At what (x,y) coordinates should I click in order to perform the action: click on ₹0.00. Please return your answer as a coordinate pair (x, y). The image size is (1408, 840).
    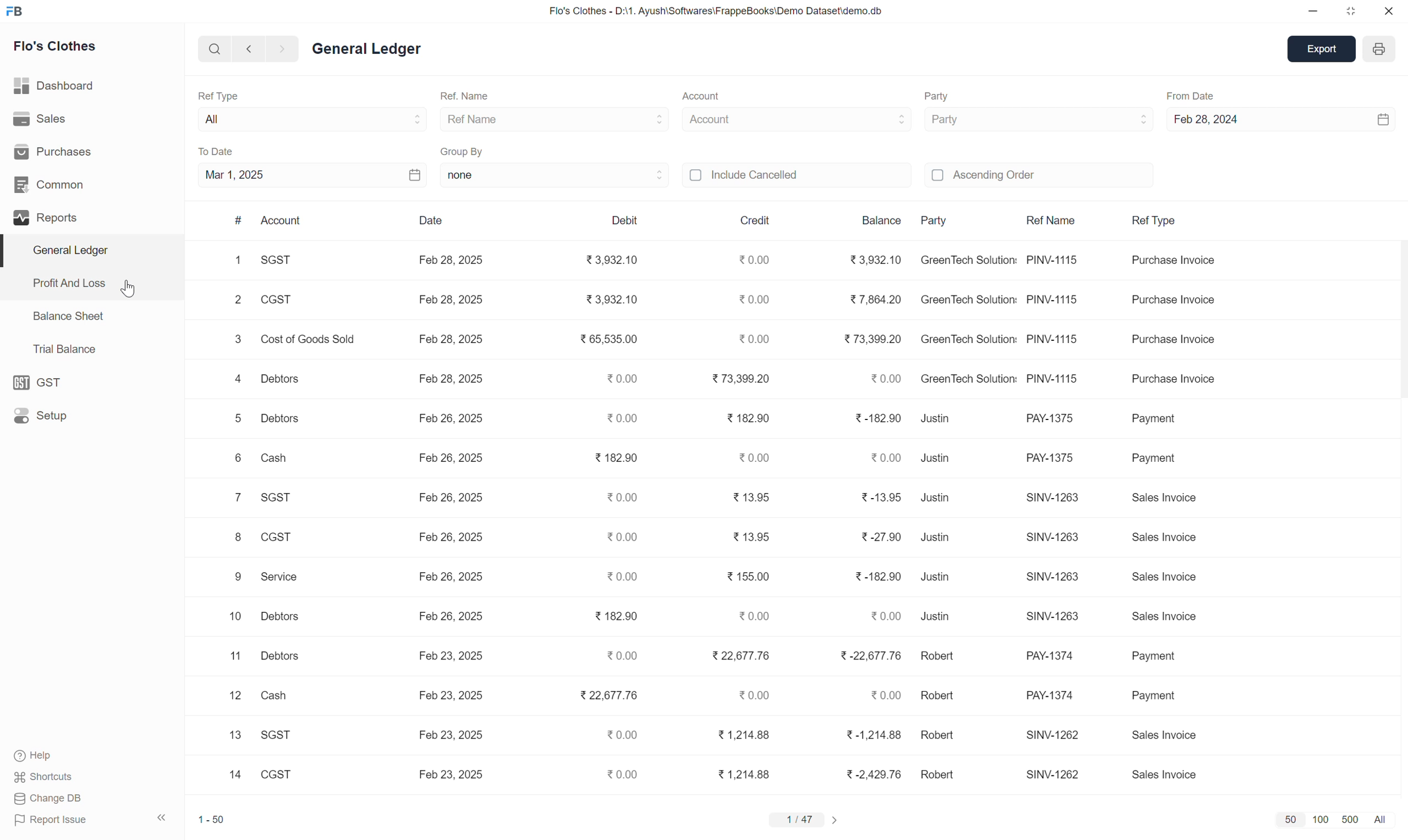
    Looking at the image, I should click on (884, 454).